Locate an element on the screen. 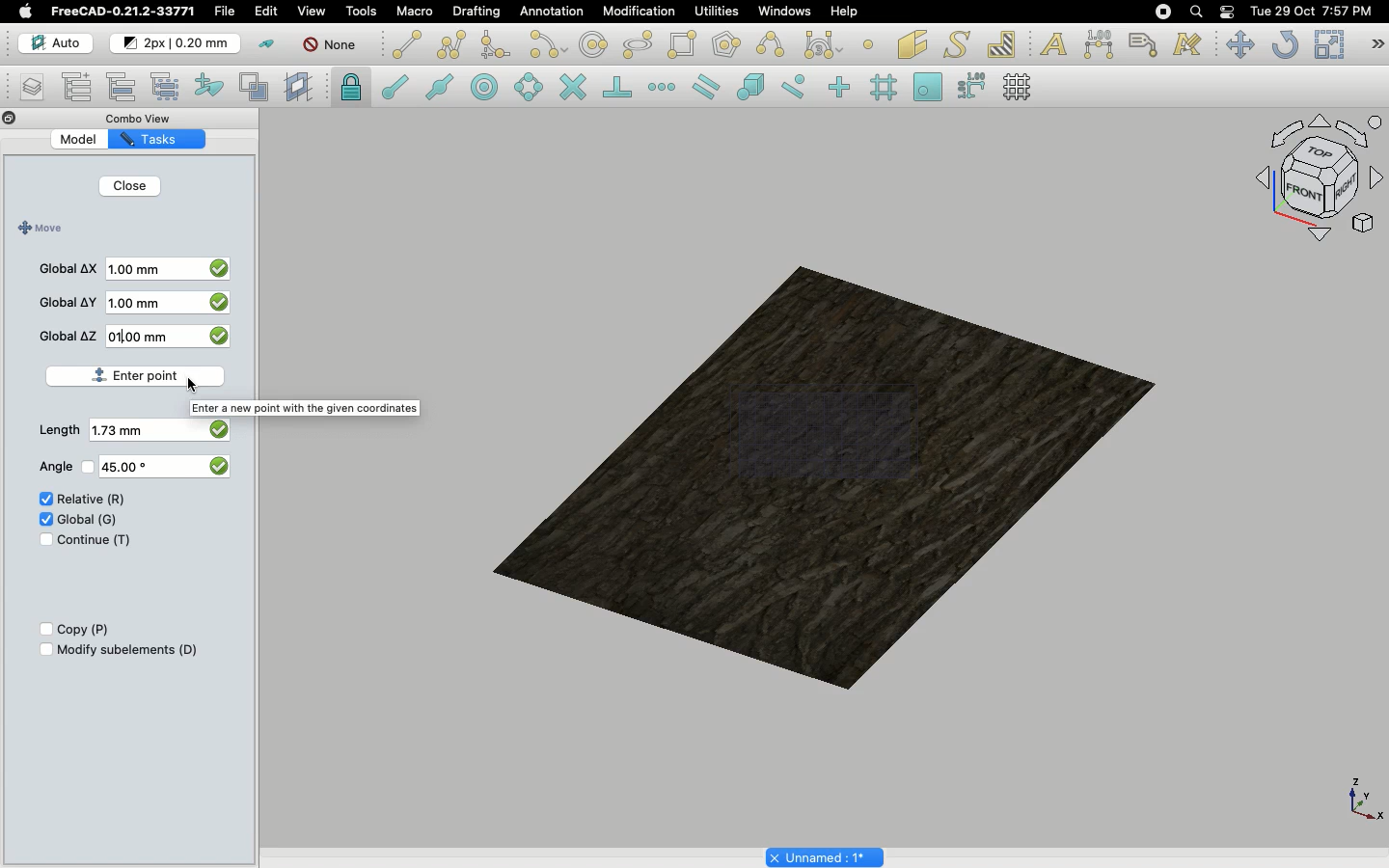  Close is located at coordinates (129, 188).